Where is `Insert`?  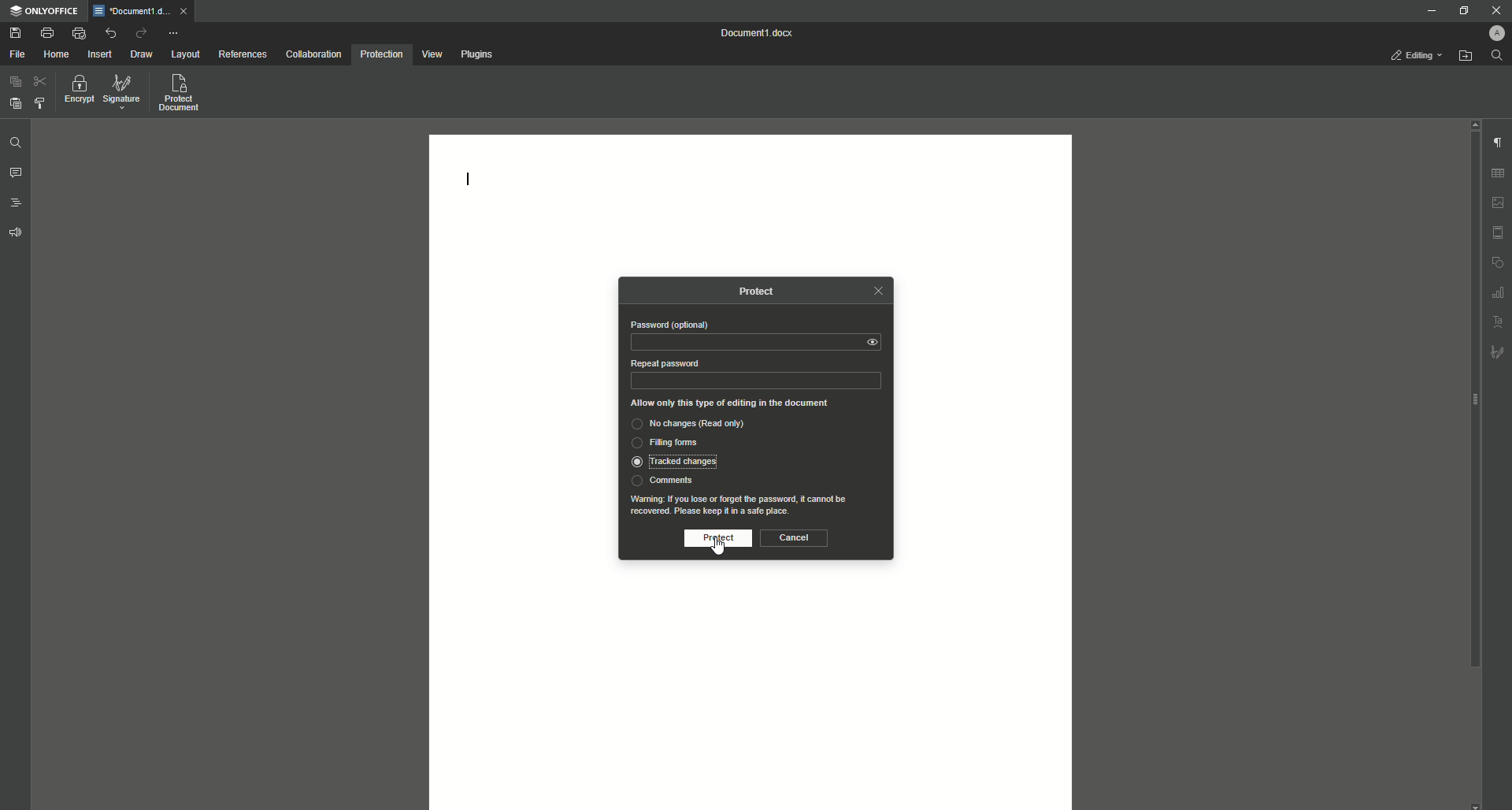 Insert is located at coordinates (98, 54).